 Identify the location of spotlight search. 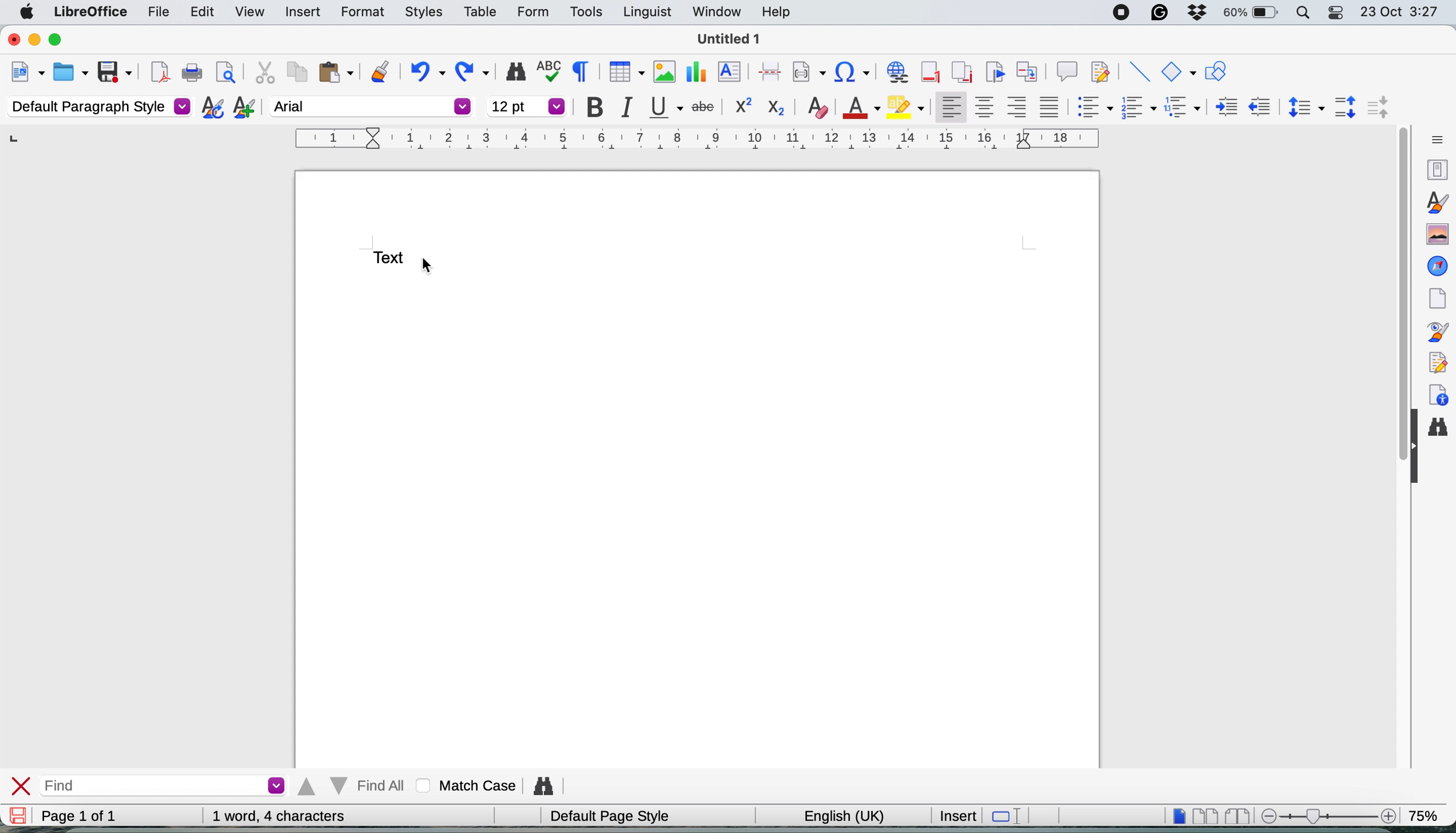
(1302, 14).